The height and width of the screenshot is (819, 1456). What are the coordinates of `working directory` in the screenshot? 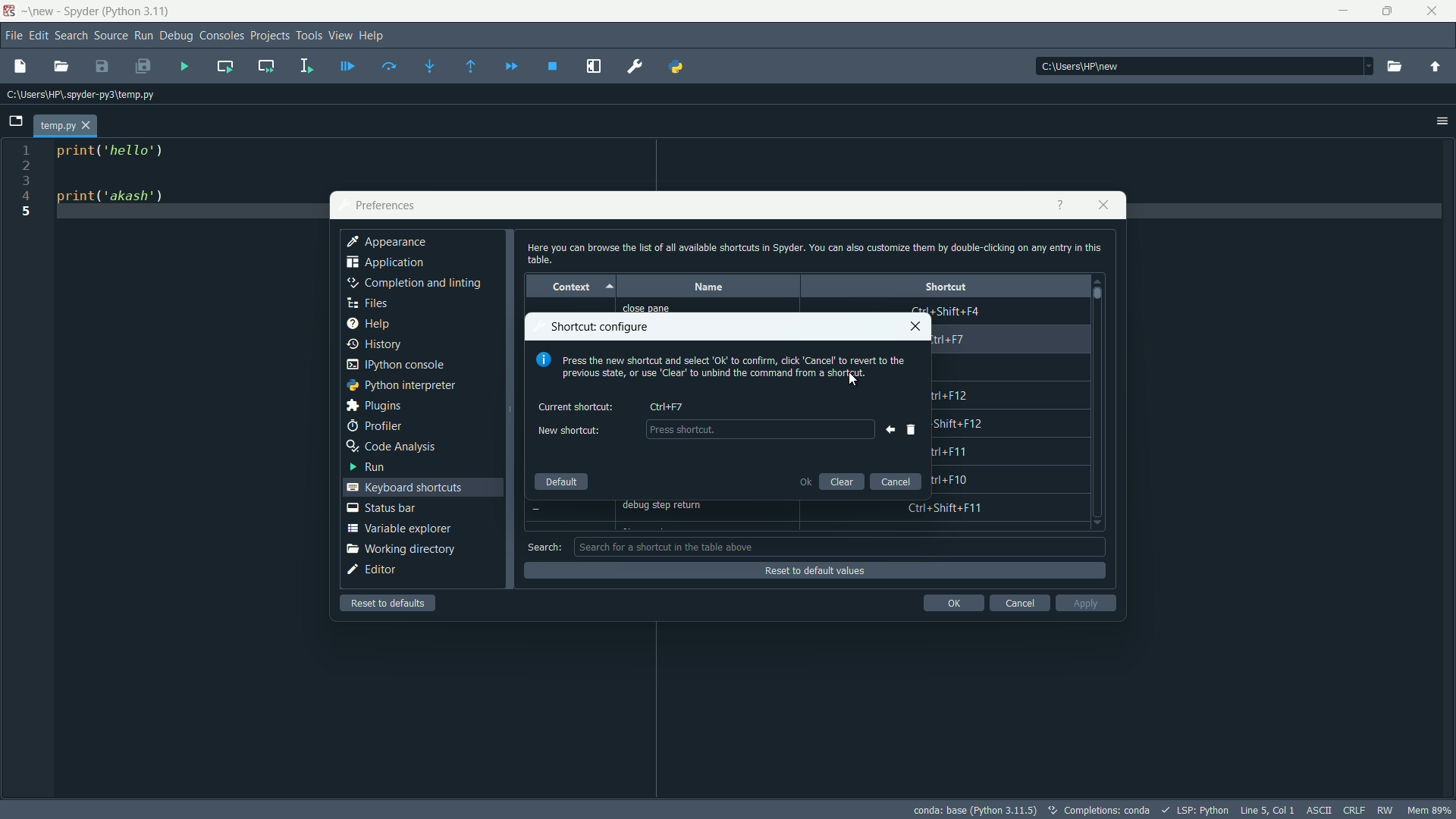 It's located at (400, 549).